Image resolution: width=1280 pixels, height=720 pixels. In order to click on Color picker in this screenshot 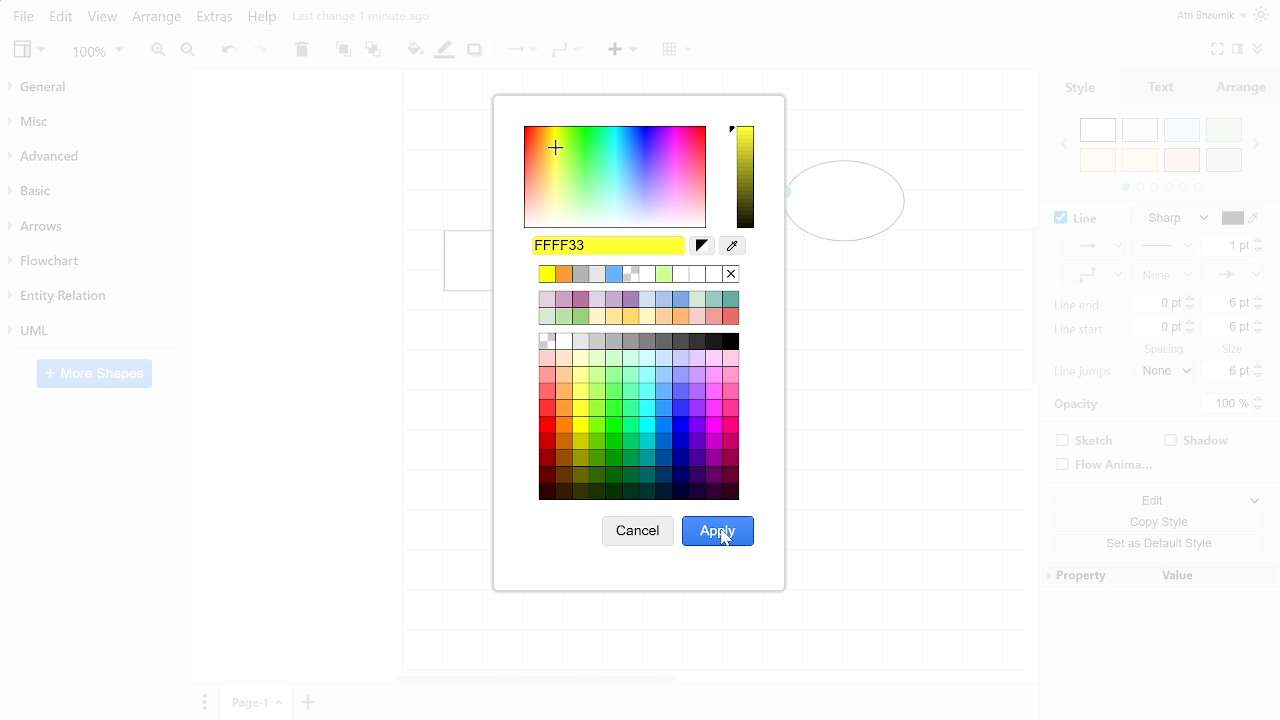, I will do `click(733, 246)`.